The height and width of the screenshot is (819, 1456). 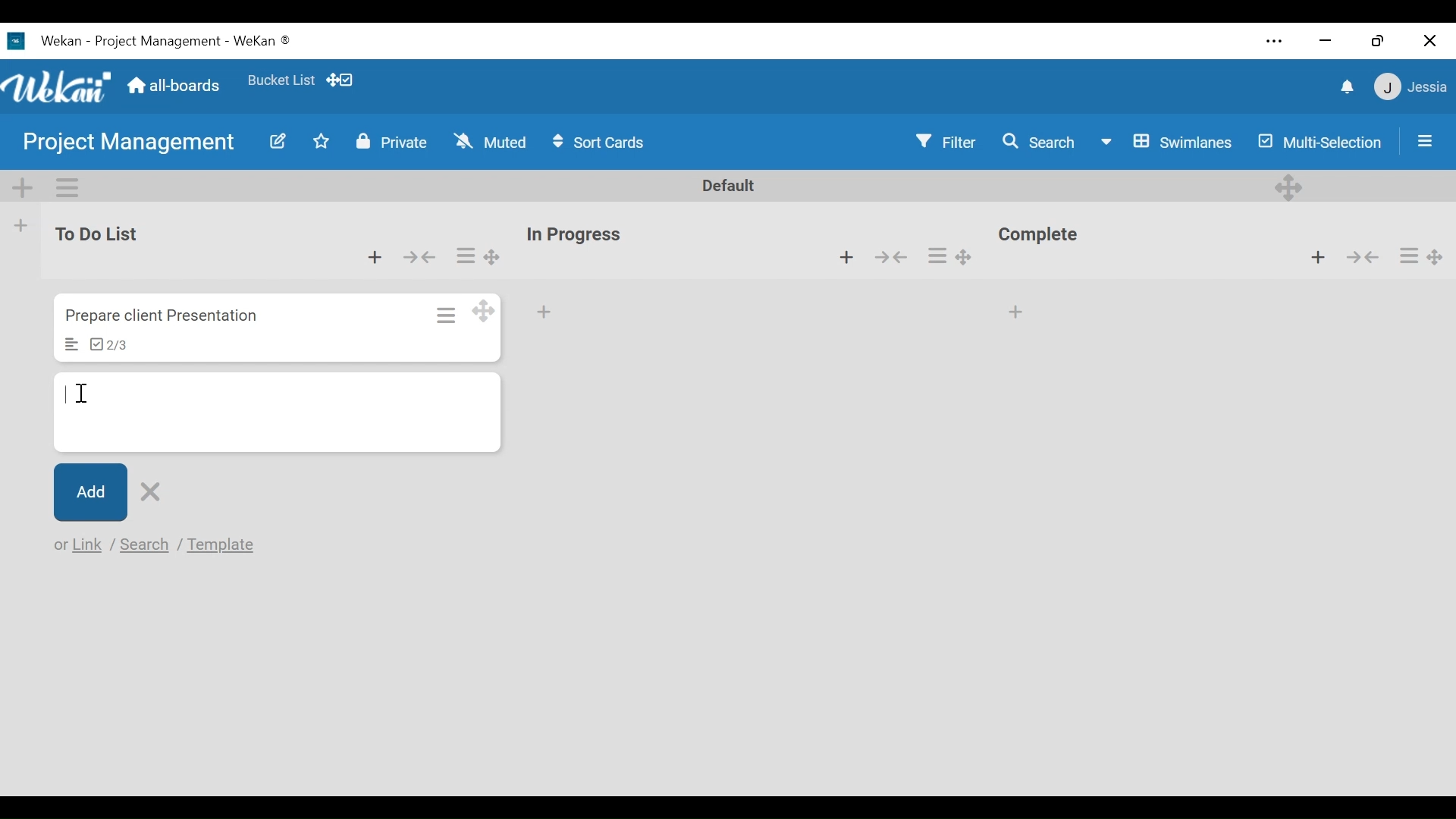 What do you see at coordinates (108, 346) in the screenshot?
I see `Checklist` at bounding box center [108, 346].